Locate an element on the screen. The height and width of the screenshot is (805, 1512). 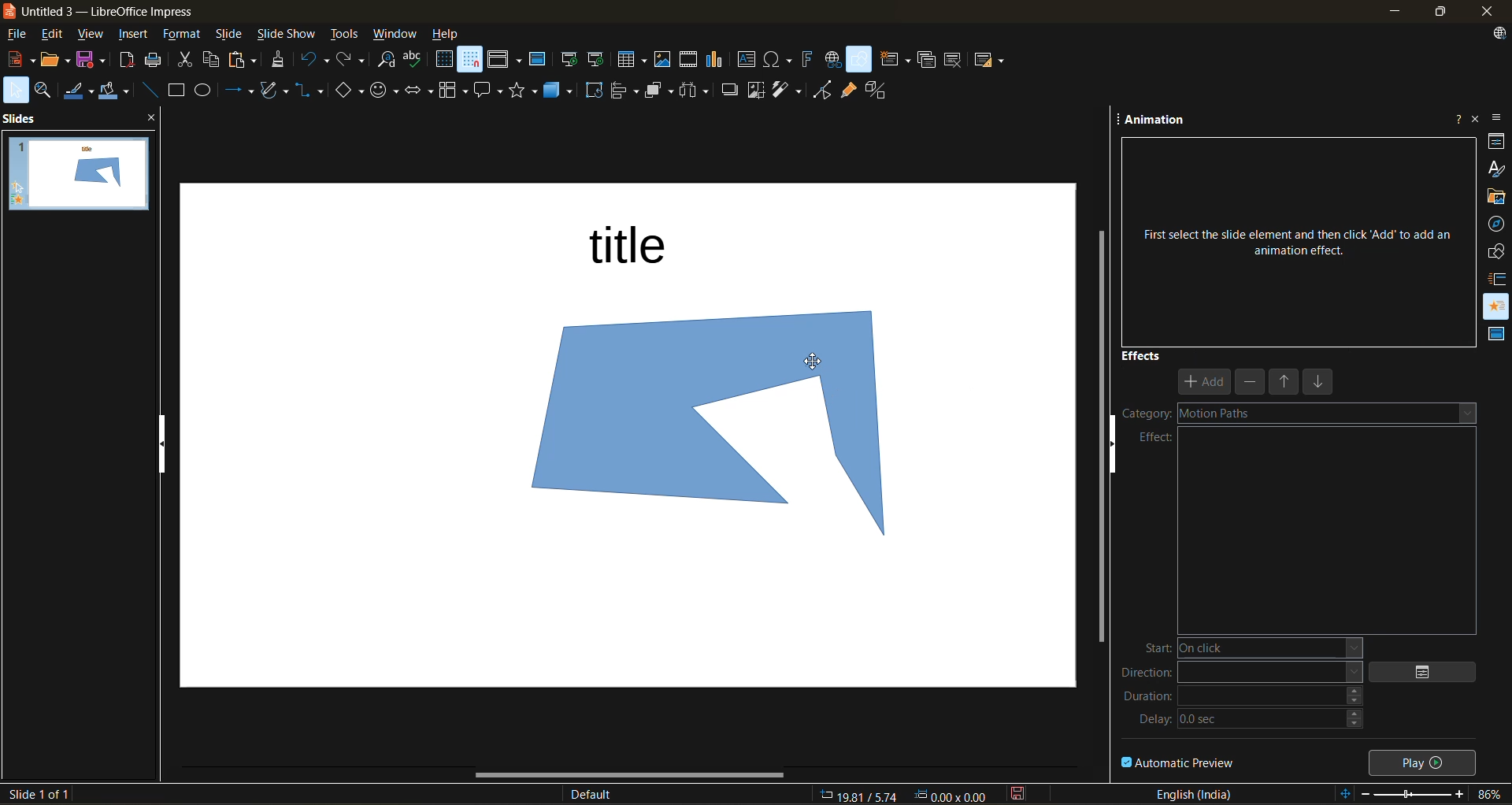
rotate is located at coordinates (595, 92).